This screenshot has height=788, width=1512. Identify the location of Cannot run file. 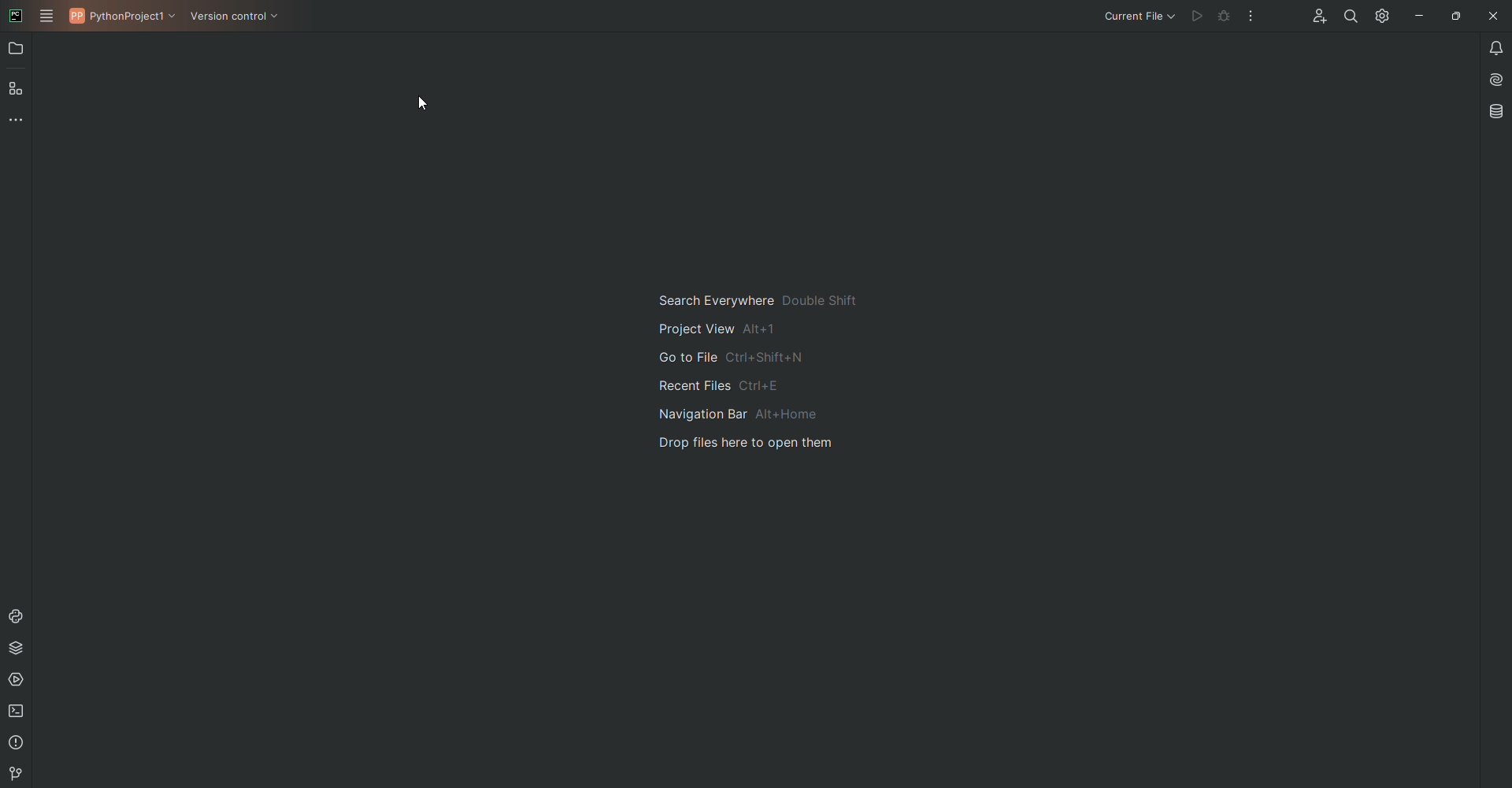
(1194, 17).